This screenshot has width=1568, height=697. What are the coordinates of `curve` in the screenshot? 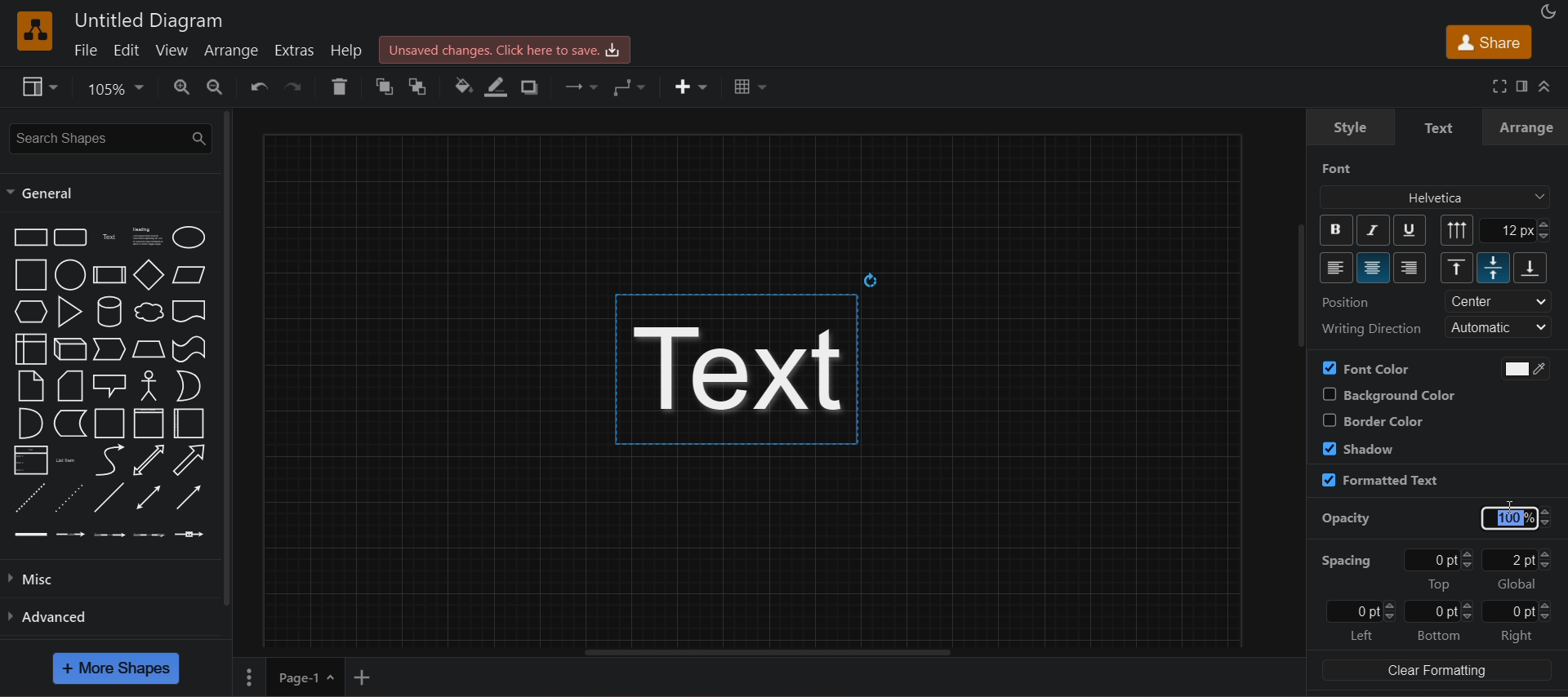 It's located at (108, 460).